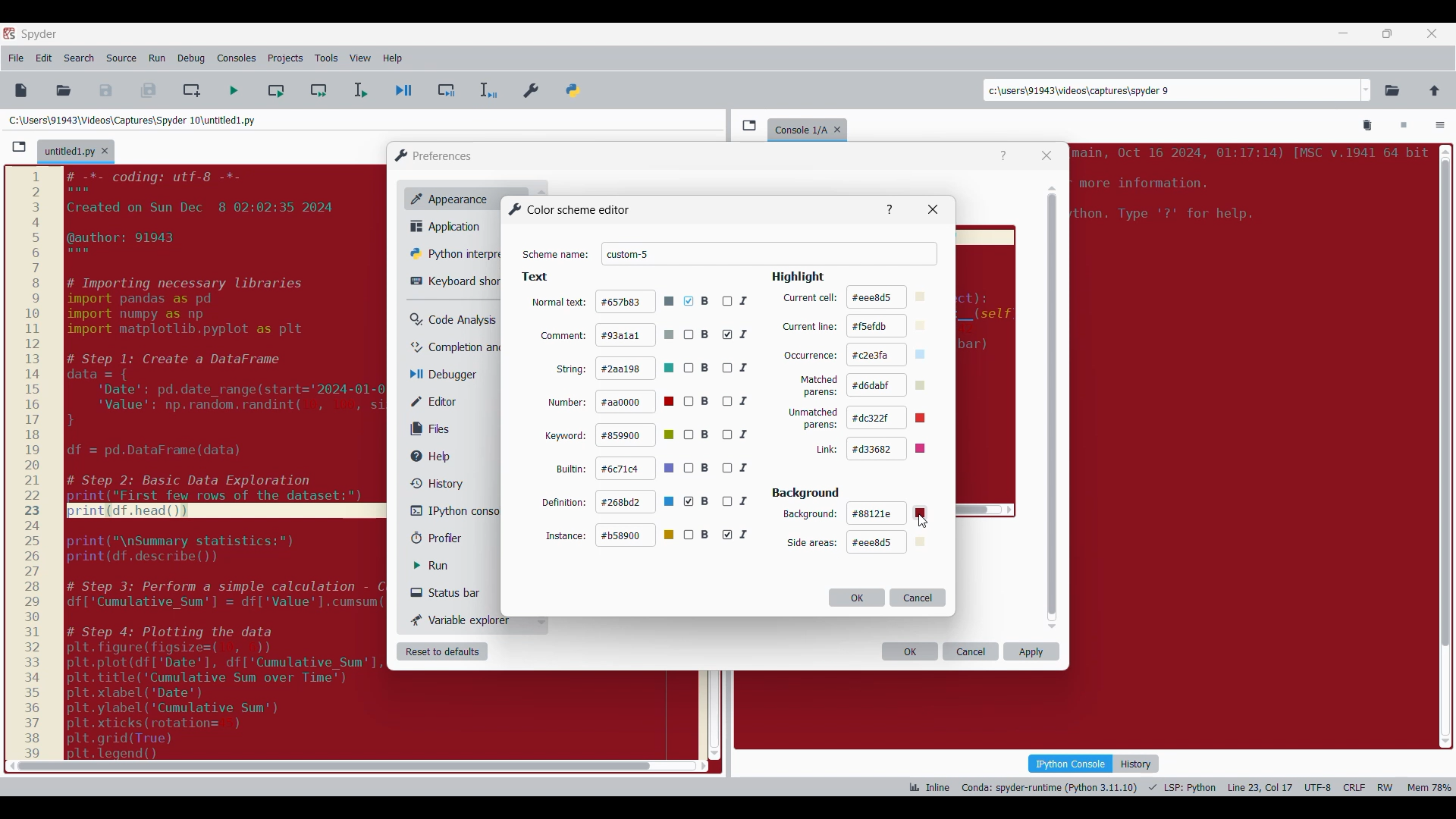 This screenshot has width=1456, height=819. I want to click on Debug selection/current line, so click(487, 90).